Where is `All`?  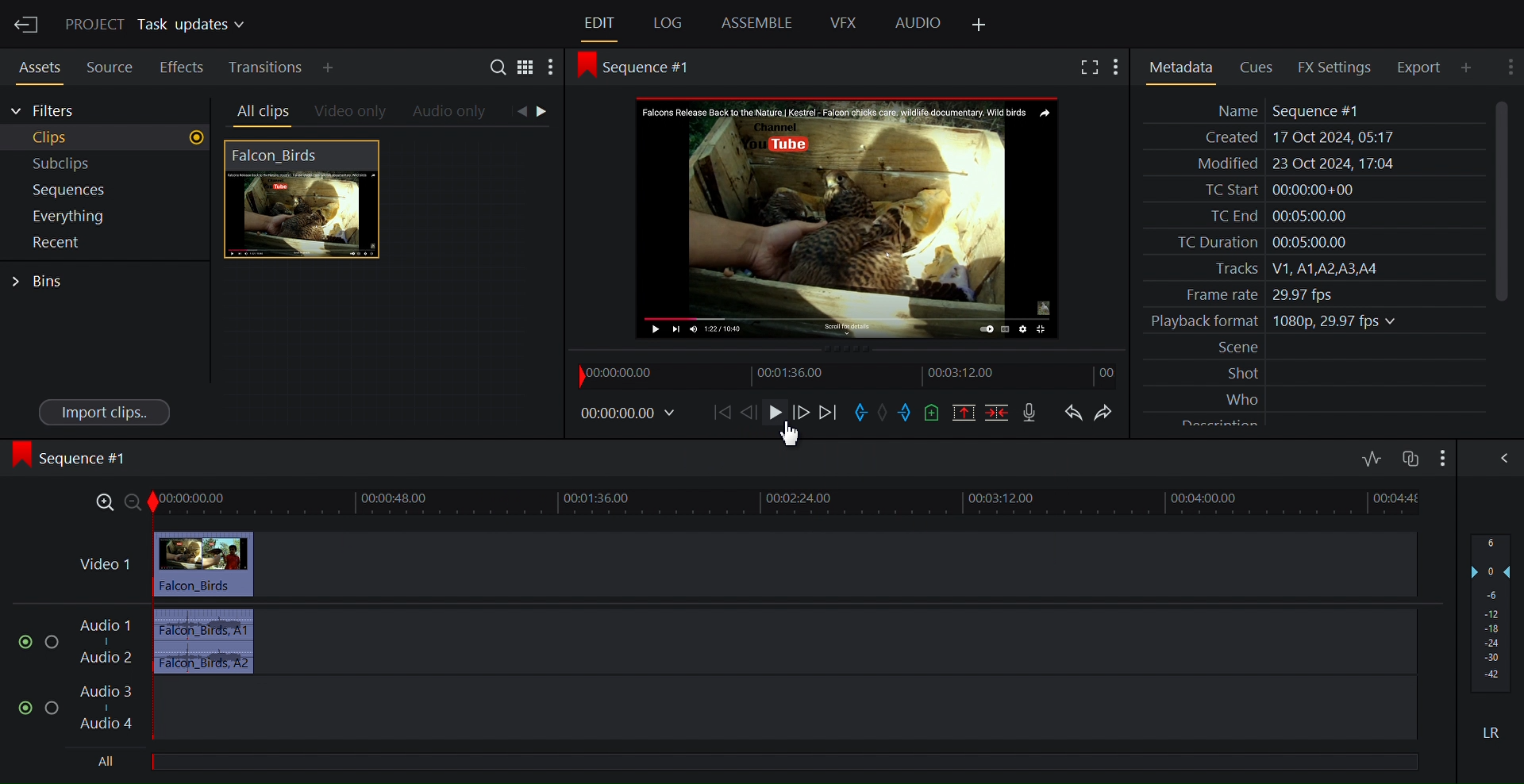
All is located at coordinates (791, 759).